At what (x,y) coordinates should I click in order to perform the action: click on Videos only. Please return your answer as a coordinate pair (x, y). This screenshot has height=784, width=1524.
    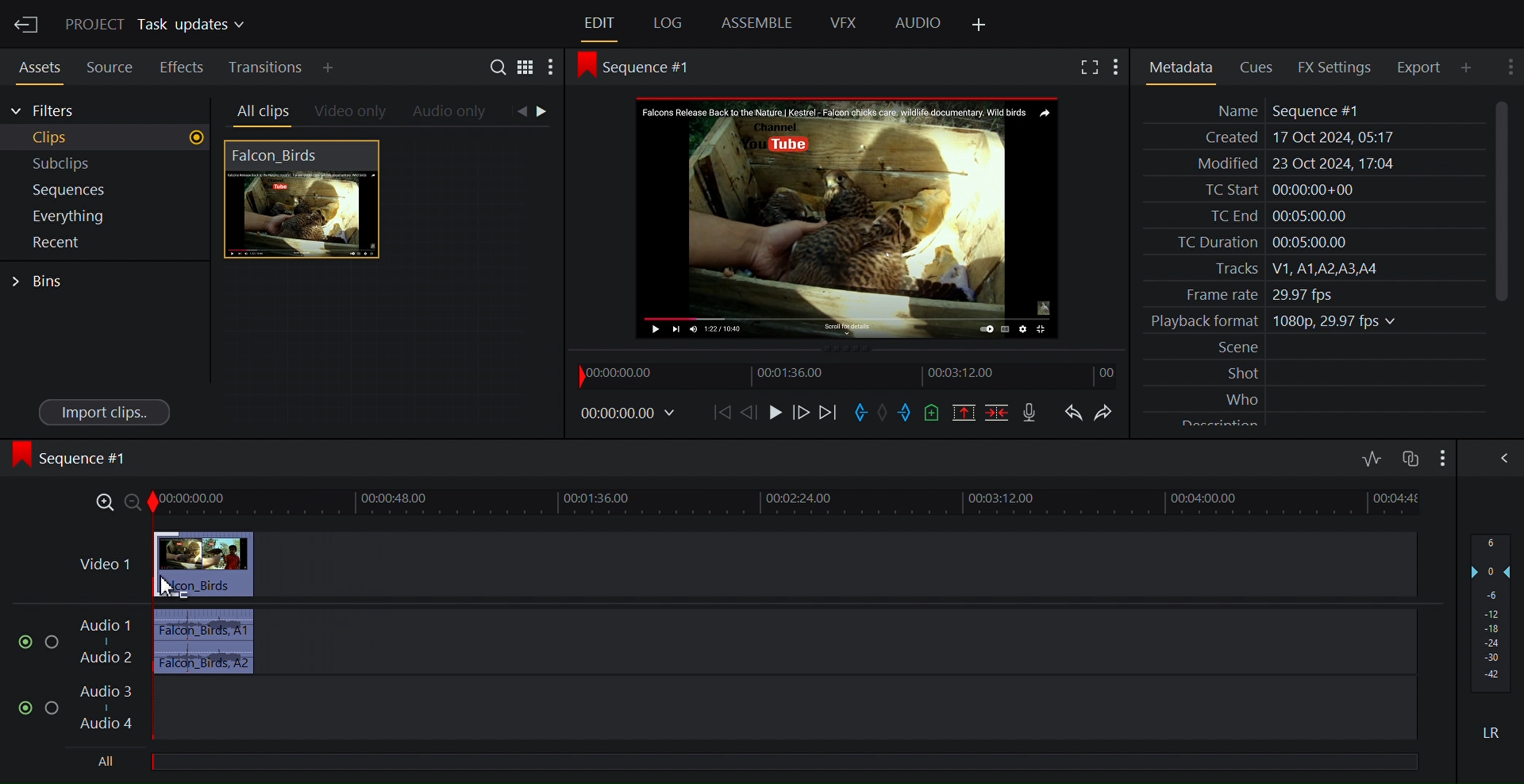
    Looking at the image, I should click on (351, 113).